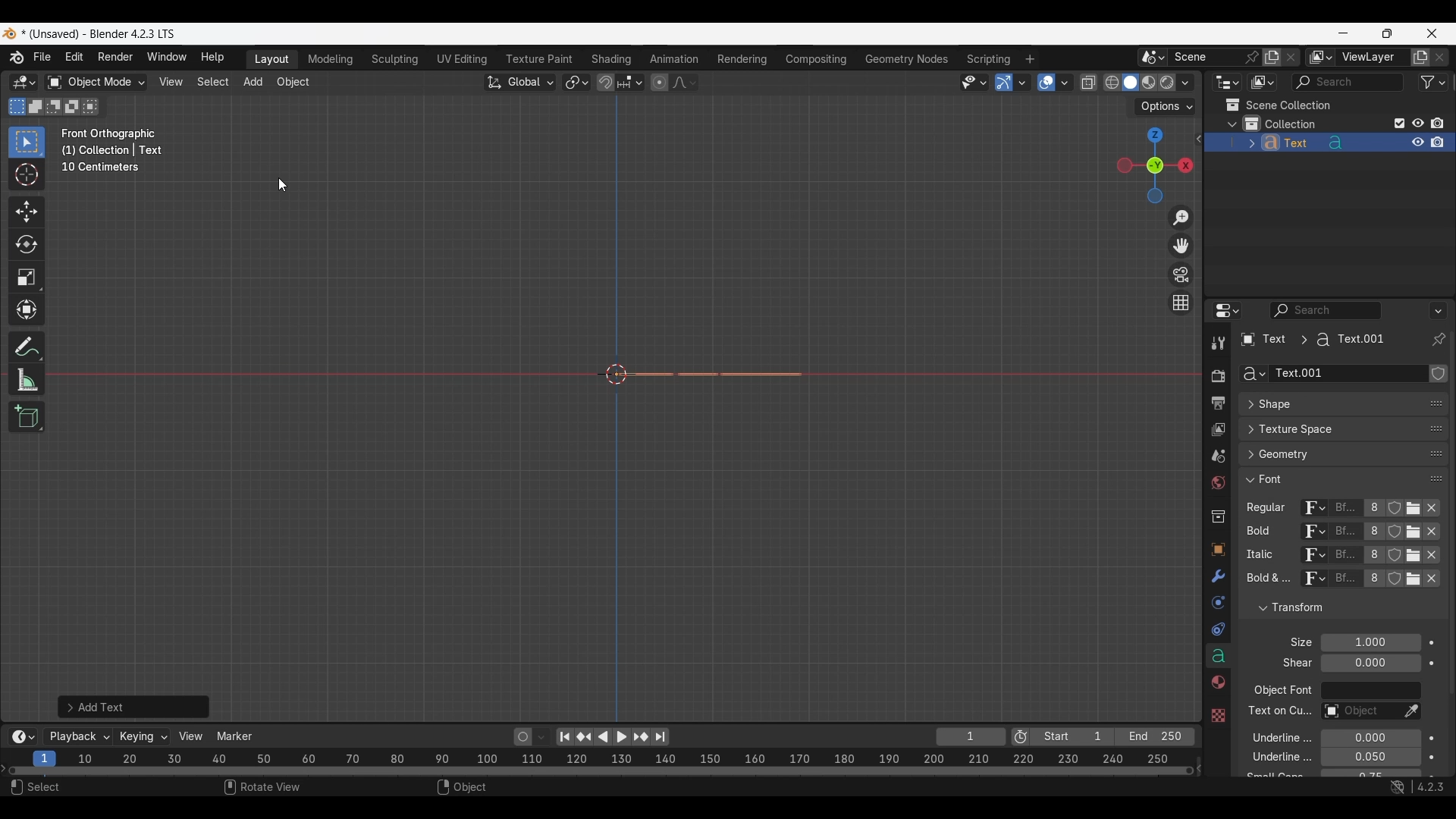  Describe the element at coordinates (1328, 429) in the screenshot. I see `Click to expand Texture Space` at that location.